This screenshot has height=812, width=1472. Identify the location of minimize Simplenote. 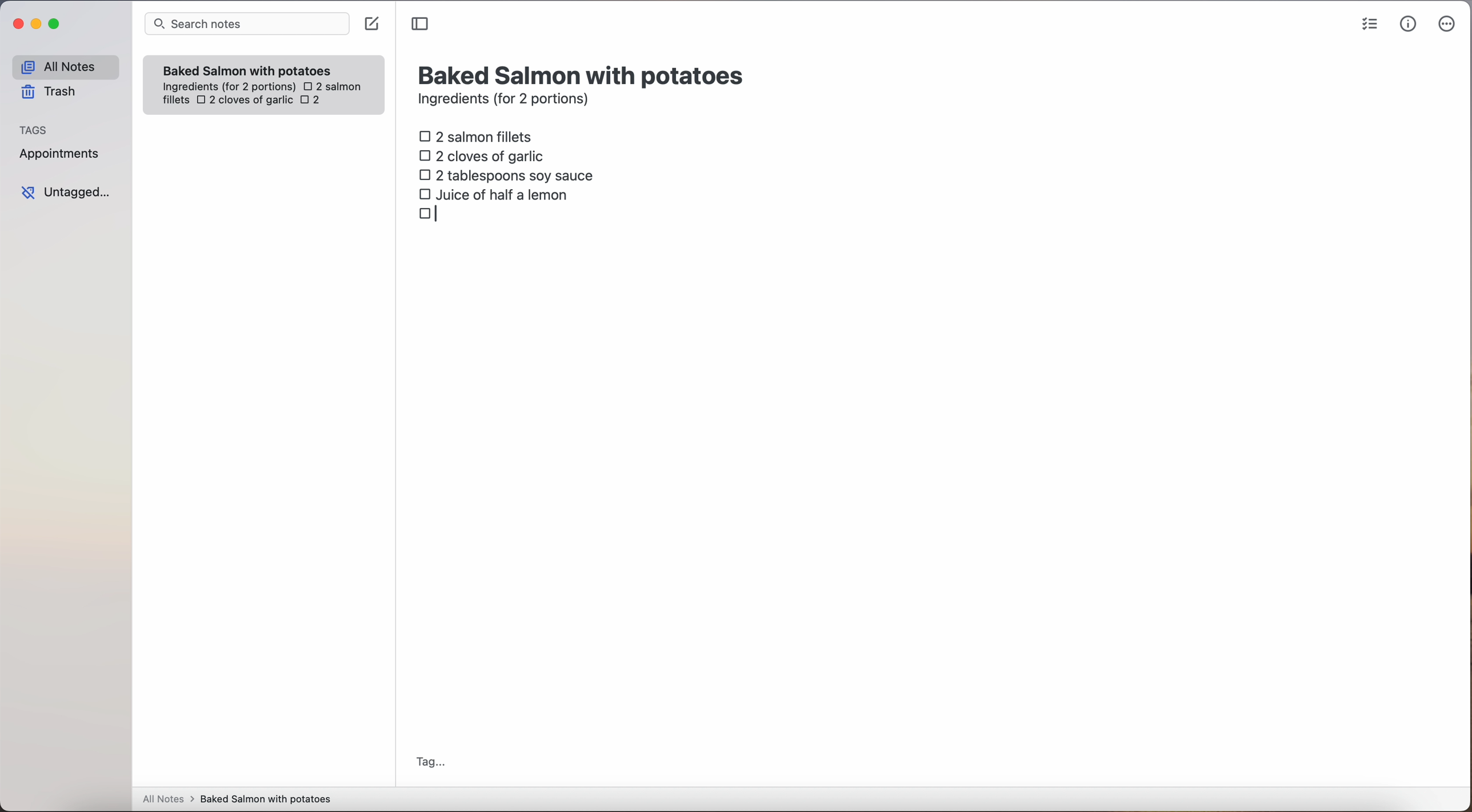
(36, 25).